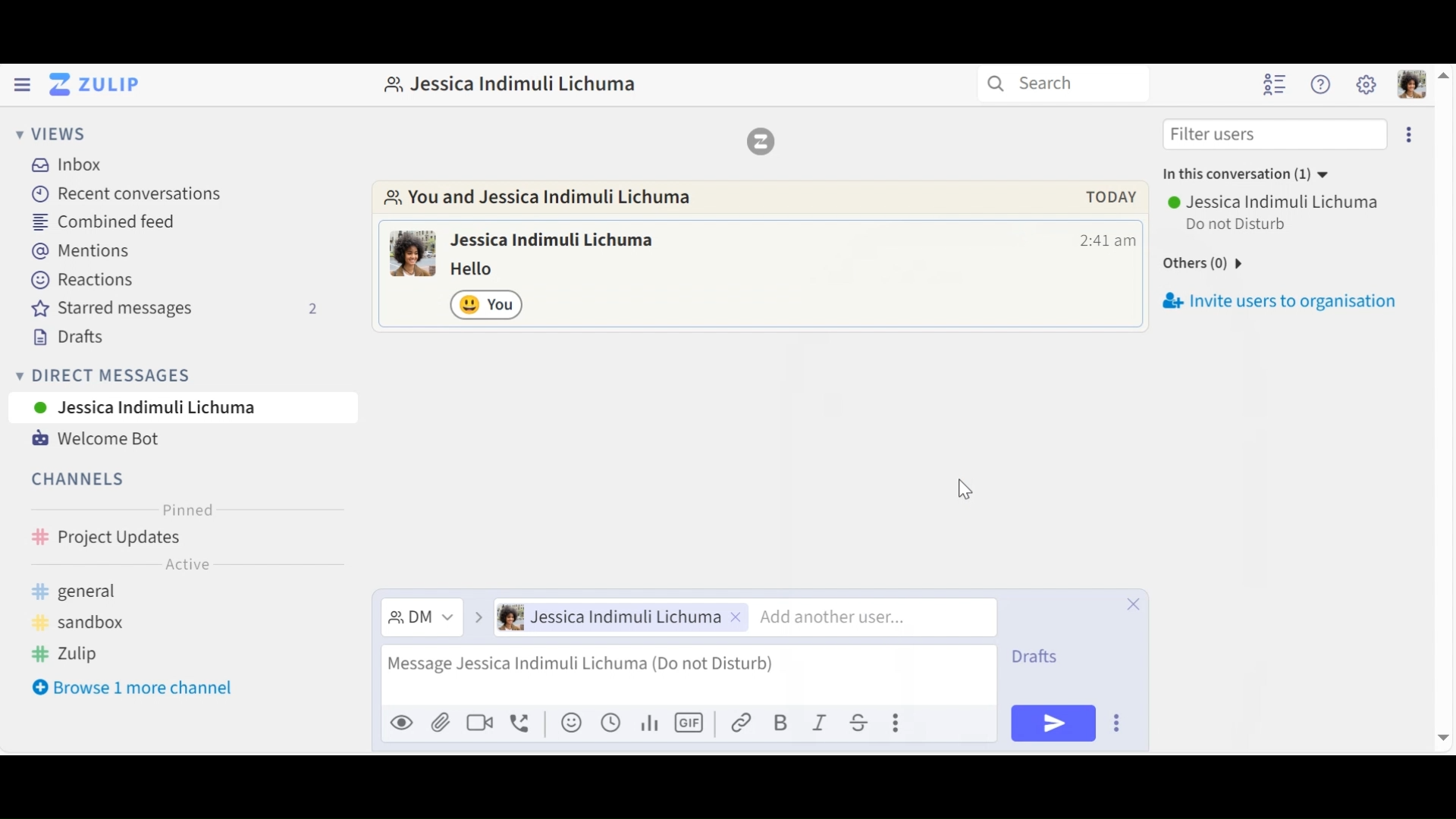  What do you see at coordinates (186, 567) in the screenshot?
I see `Active` at bounding box center [186, 567].